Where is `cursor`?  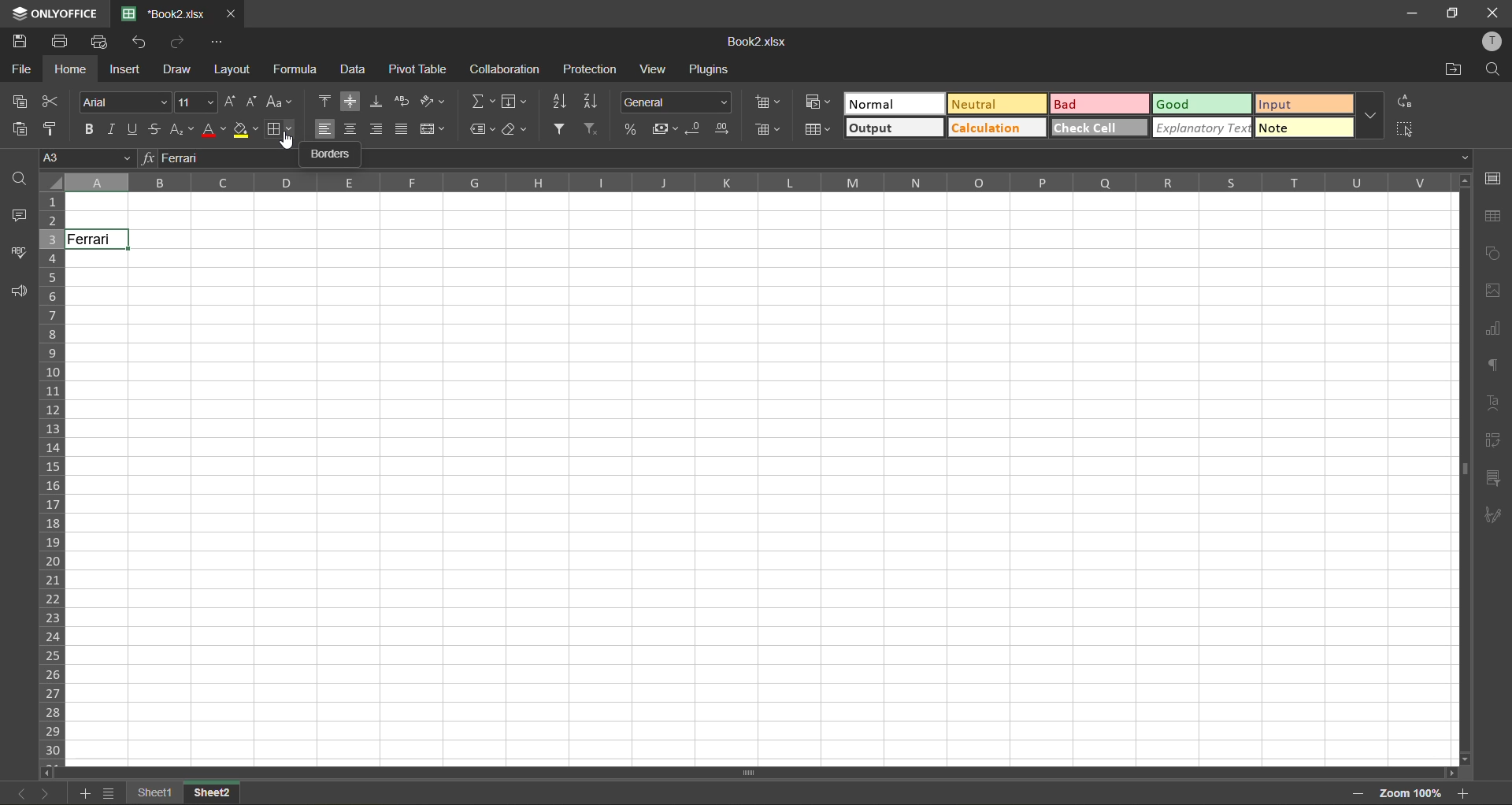 cursor is located at coordinates (290, 141).